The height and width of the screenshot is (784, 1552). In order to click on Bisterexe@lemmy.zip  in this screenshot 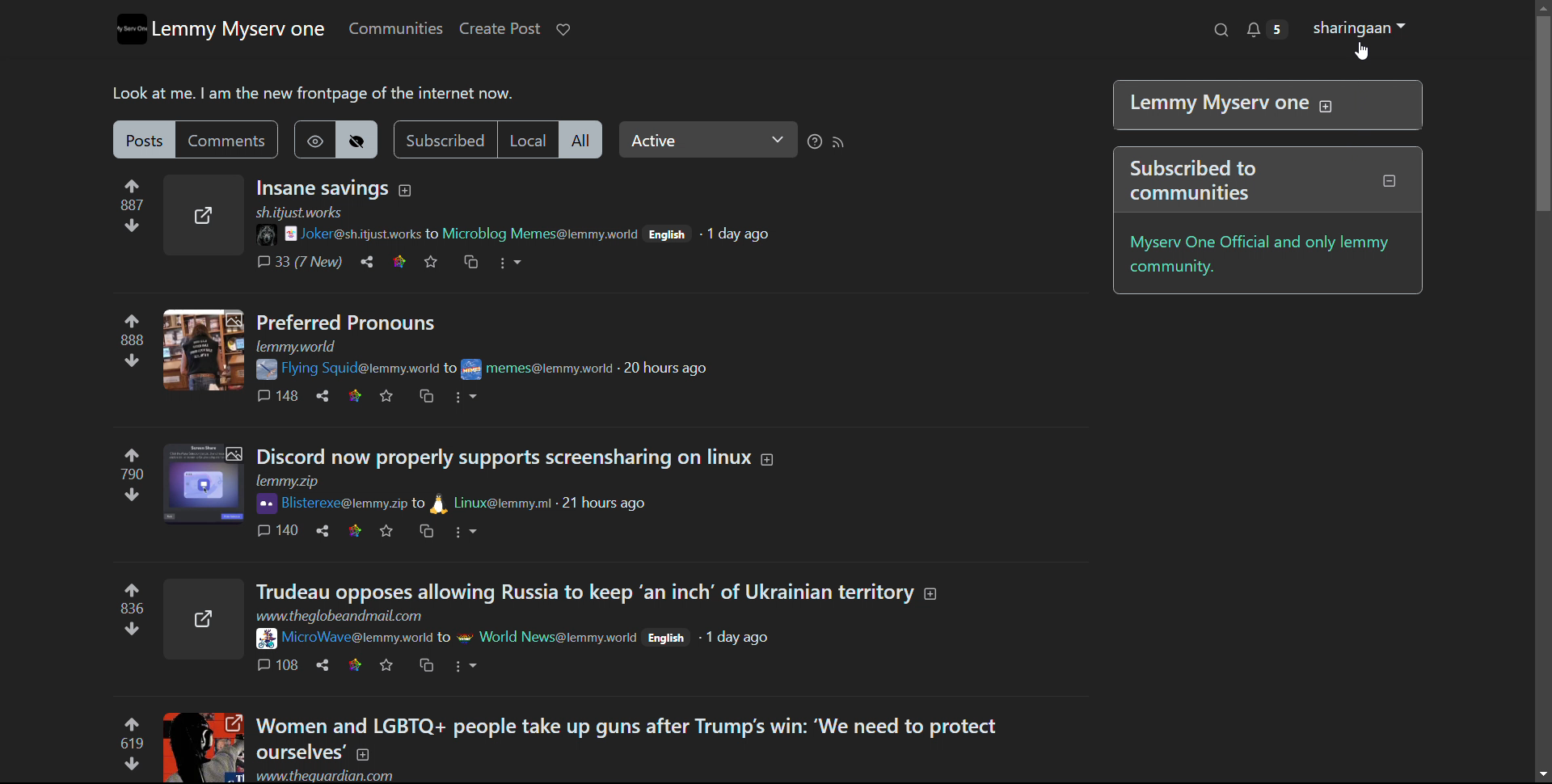, I will do `click(330, 504)`.